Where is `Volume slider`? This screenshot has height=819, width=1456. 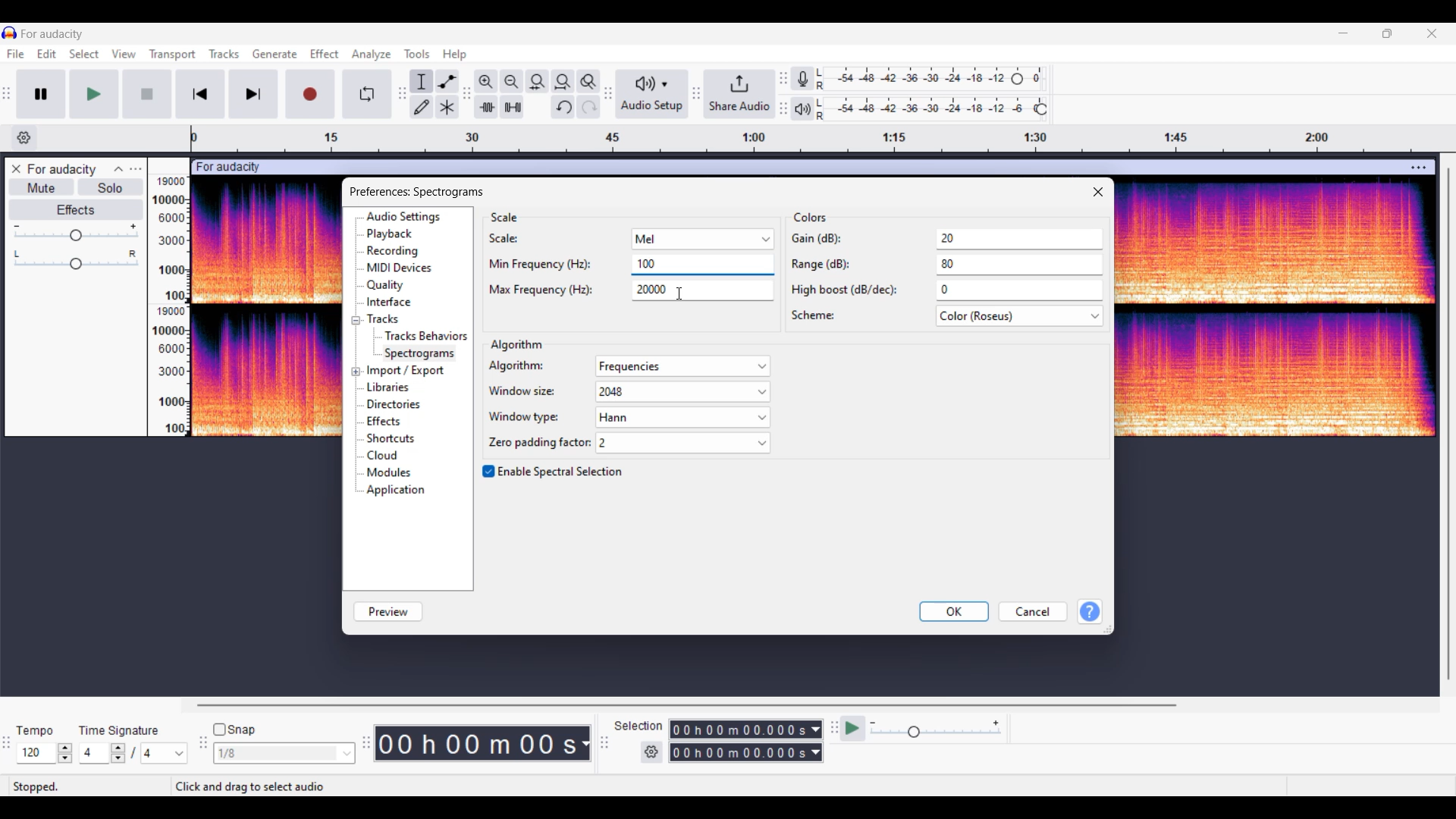 Volume slider is located at coordinates (75, 233).